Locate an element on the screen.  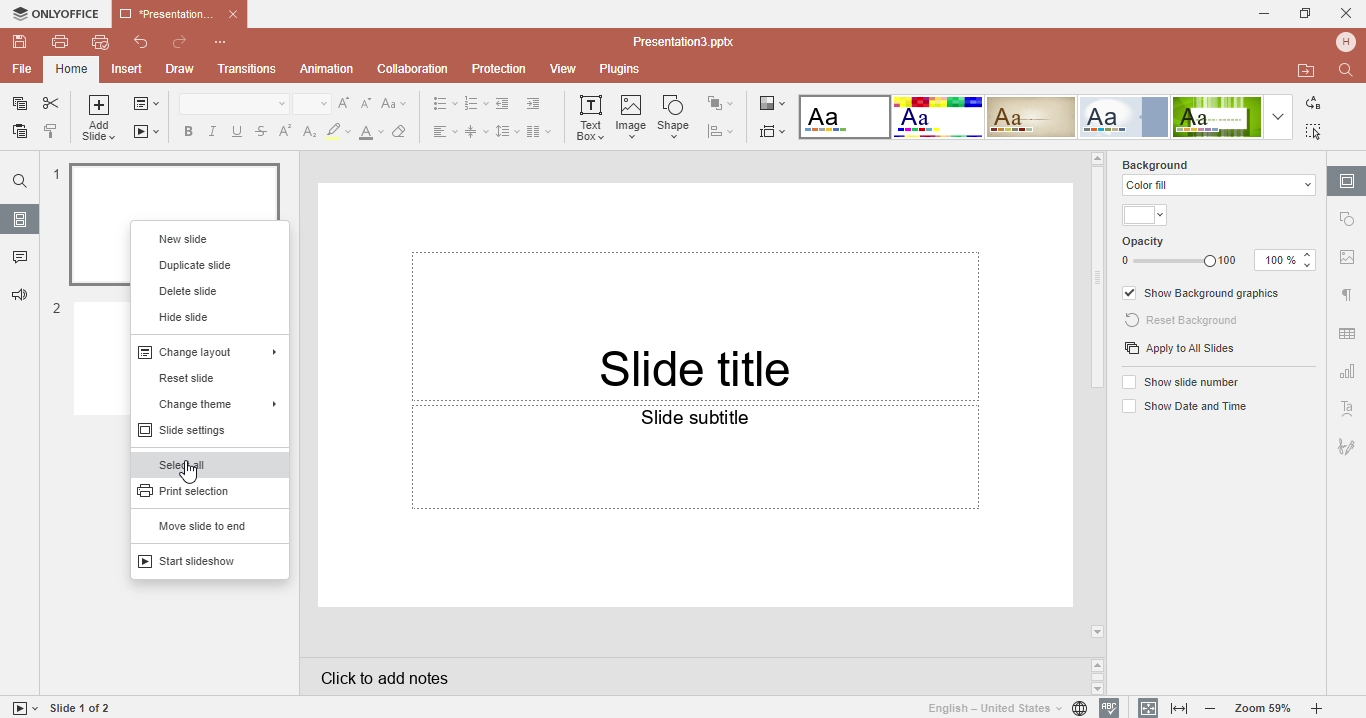
Subscript is located at coordinates (307, 131).